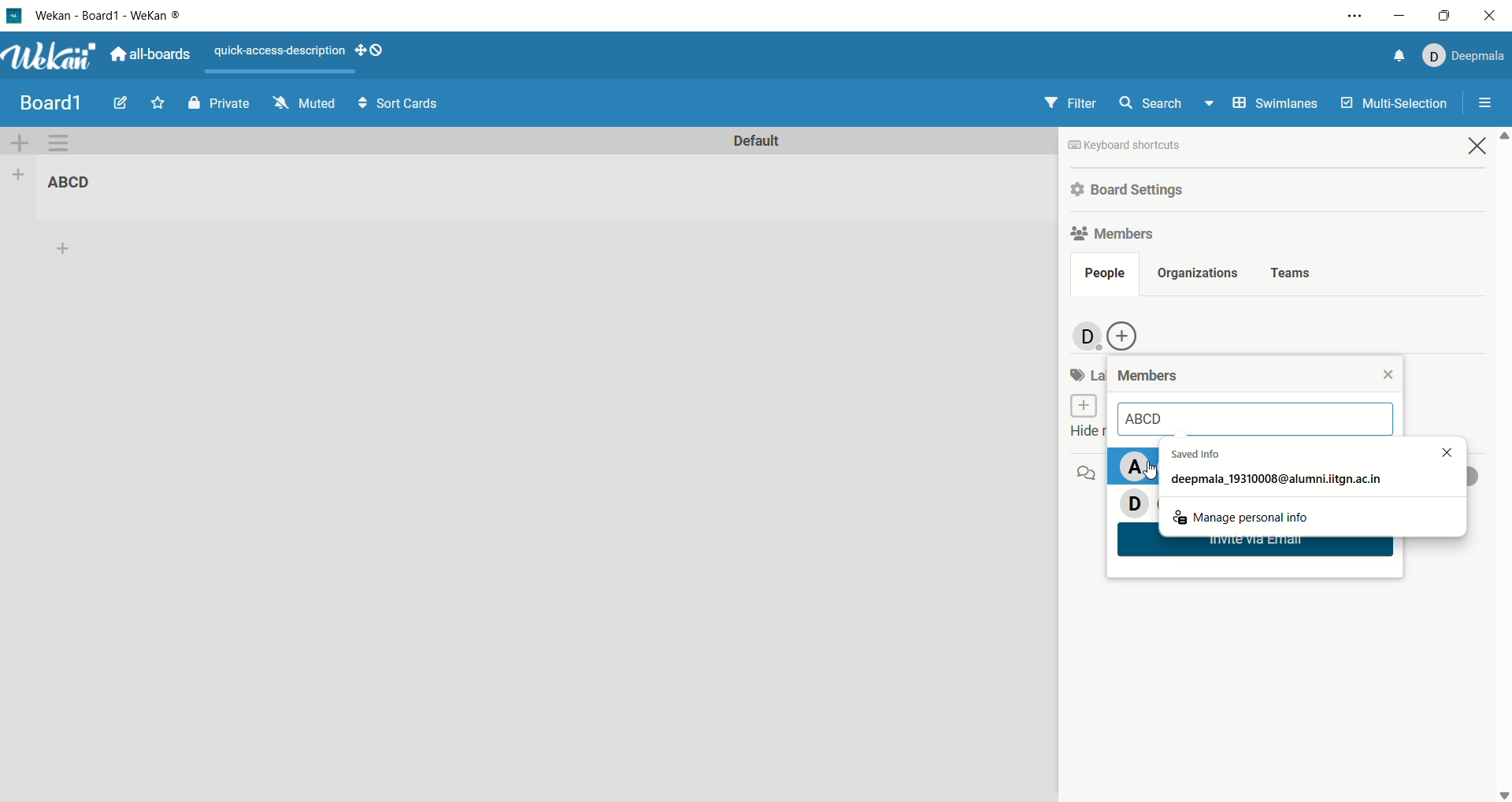 Image resolution: width=1512 pixels, height=802 pixels. What do you see at coordinates (79, 184) in the screenshot?
I see `list title` at bounding box center [79, 184].